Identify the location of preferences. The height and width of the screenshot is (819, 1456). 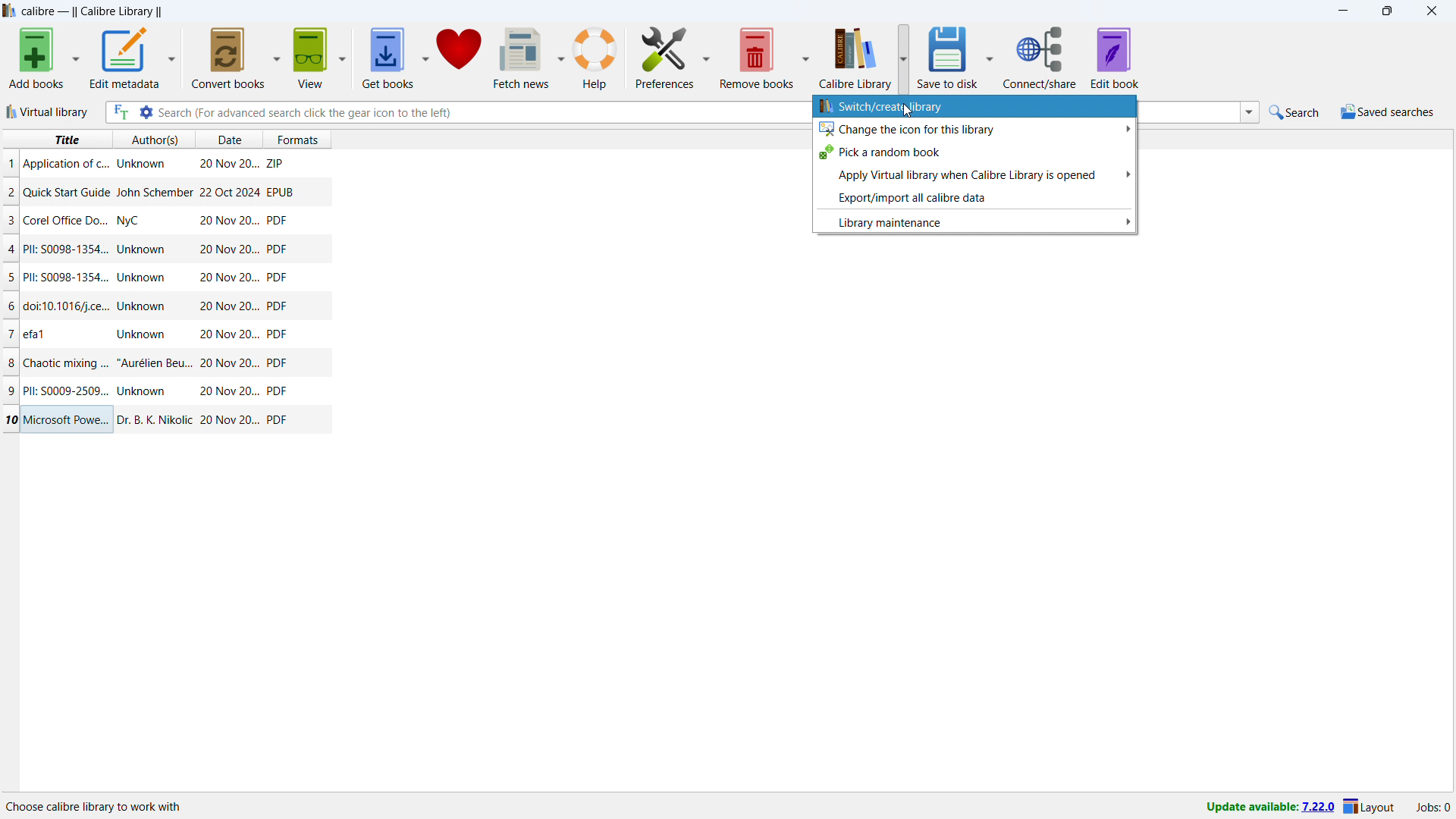
(666, 56).